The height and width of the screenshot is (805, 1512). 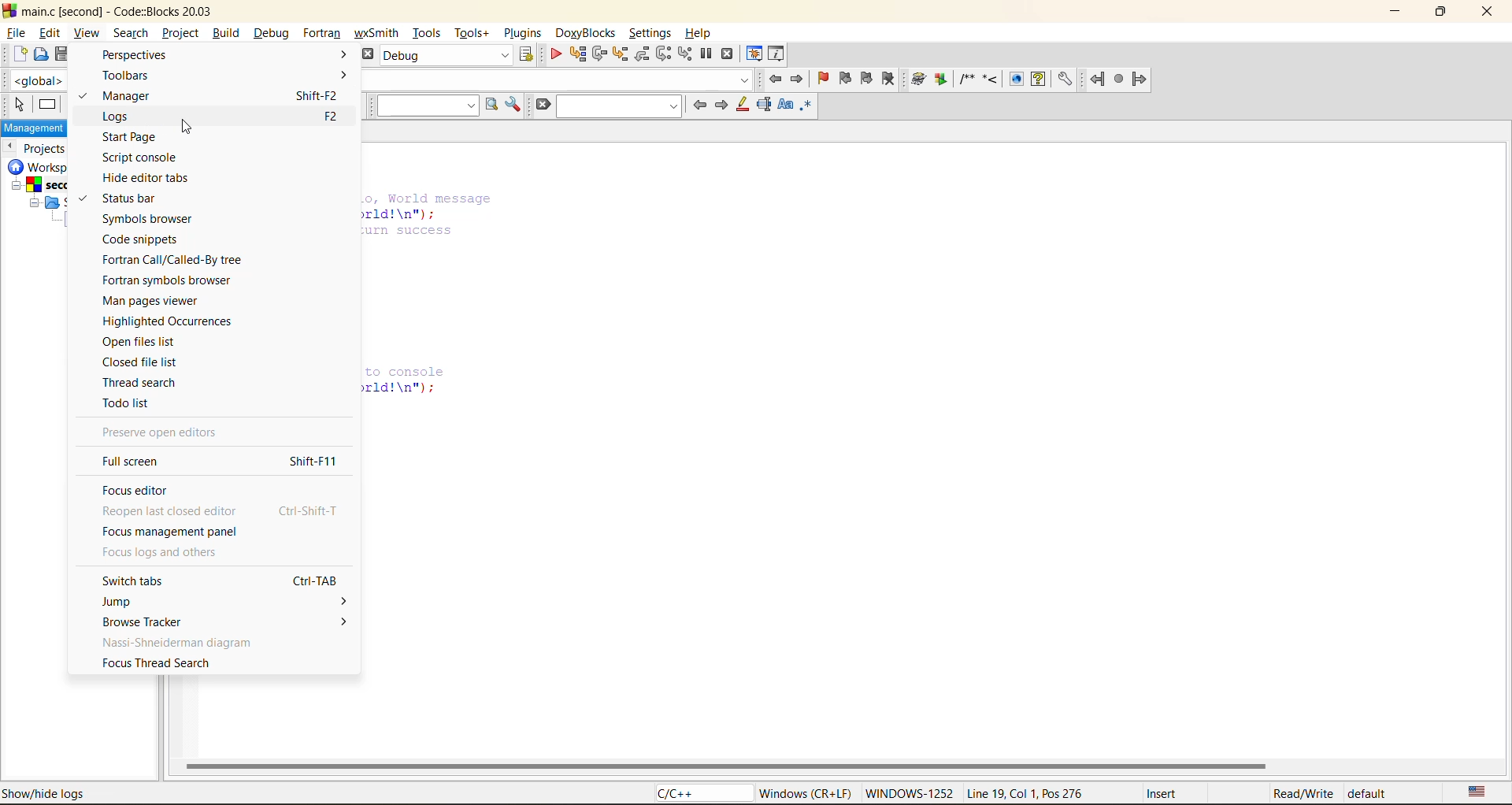 What do you see at coordinates (42, 81) in the screenshot?
I see `code completion  compiler` at bounding box center [42, 81].